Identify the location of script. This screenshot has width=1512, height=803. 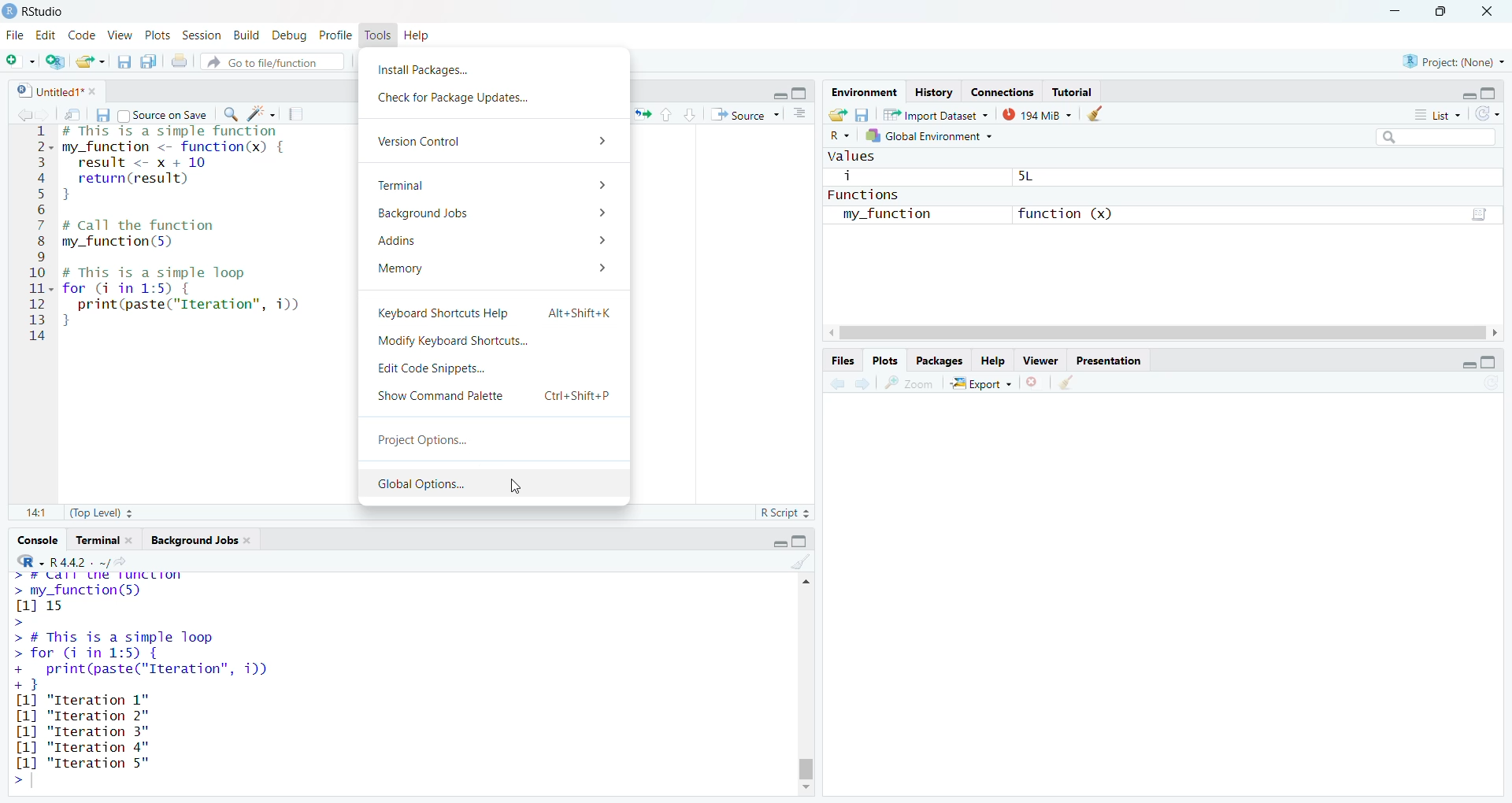
(1482, 212).